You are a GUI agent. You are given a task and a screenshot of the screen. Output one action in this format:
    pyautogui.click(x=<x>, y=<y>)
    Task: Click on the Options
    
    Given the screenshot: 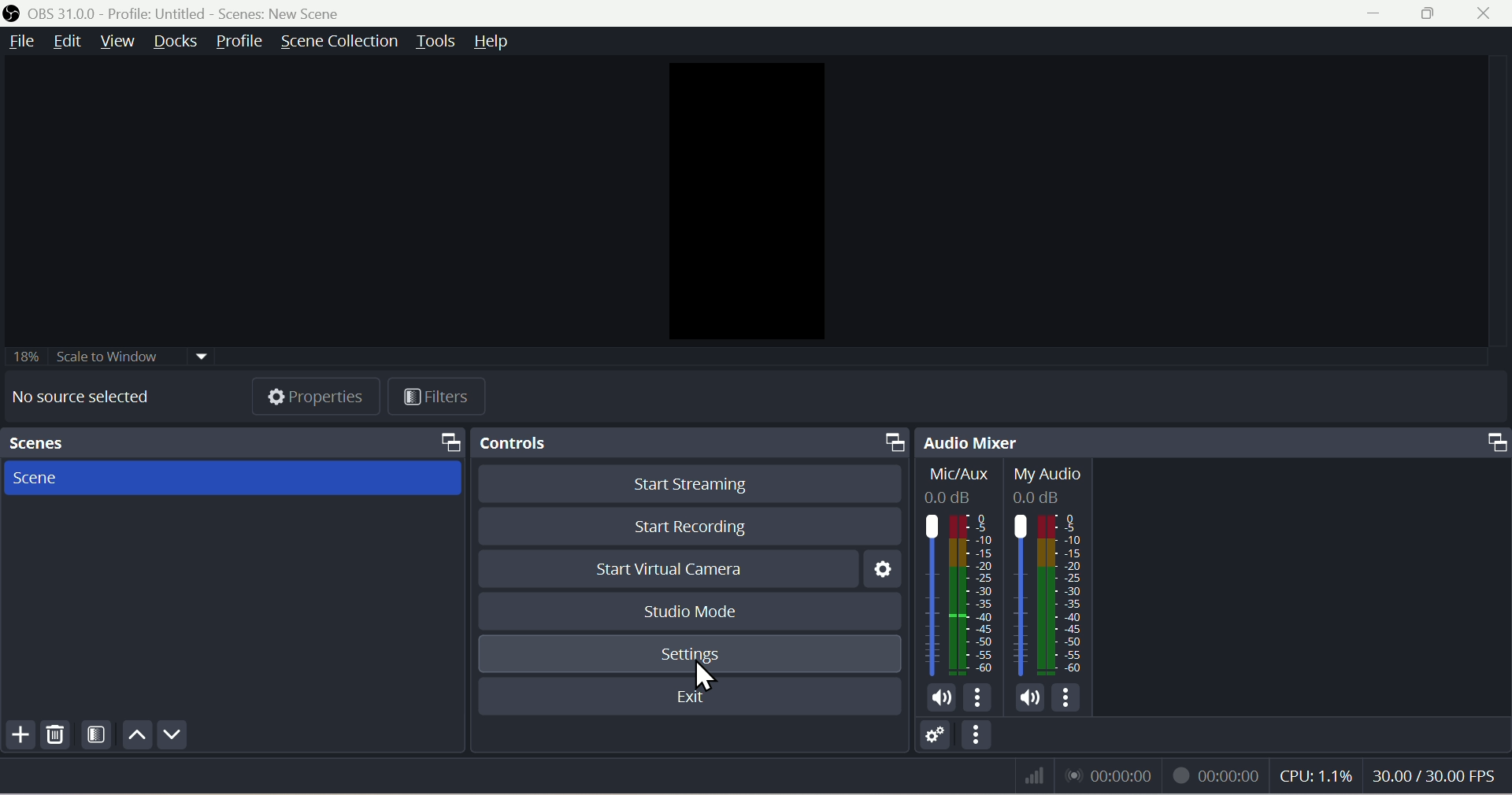 What is the action you would take?
    pyautogui.click(x=978, y=738)
    